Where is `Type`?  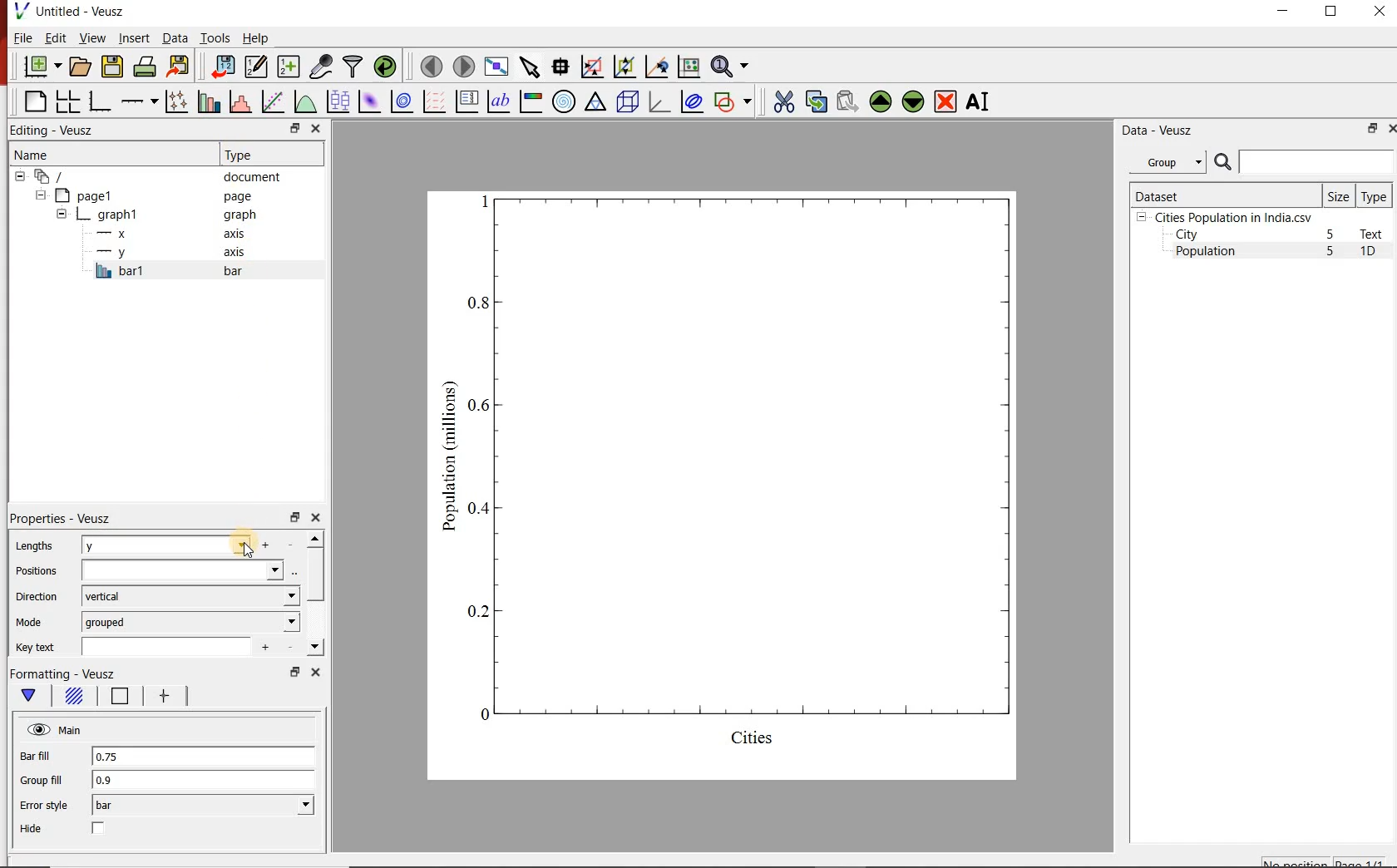 Type is located at coordinates (269, 155).